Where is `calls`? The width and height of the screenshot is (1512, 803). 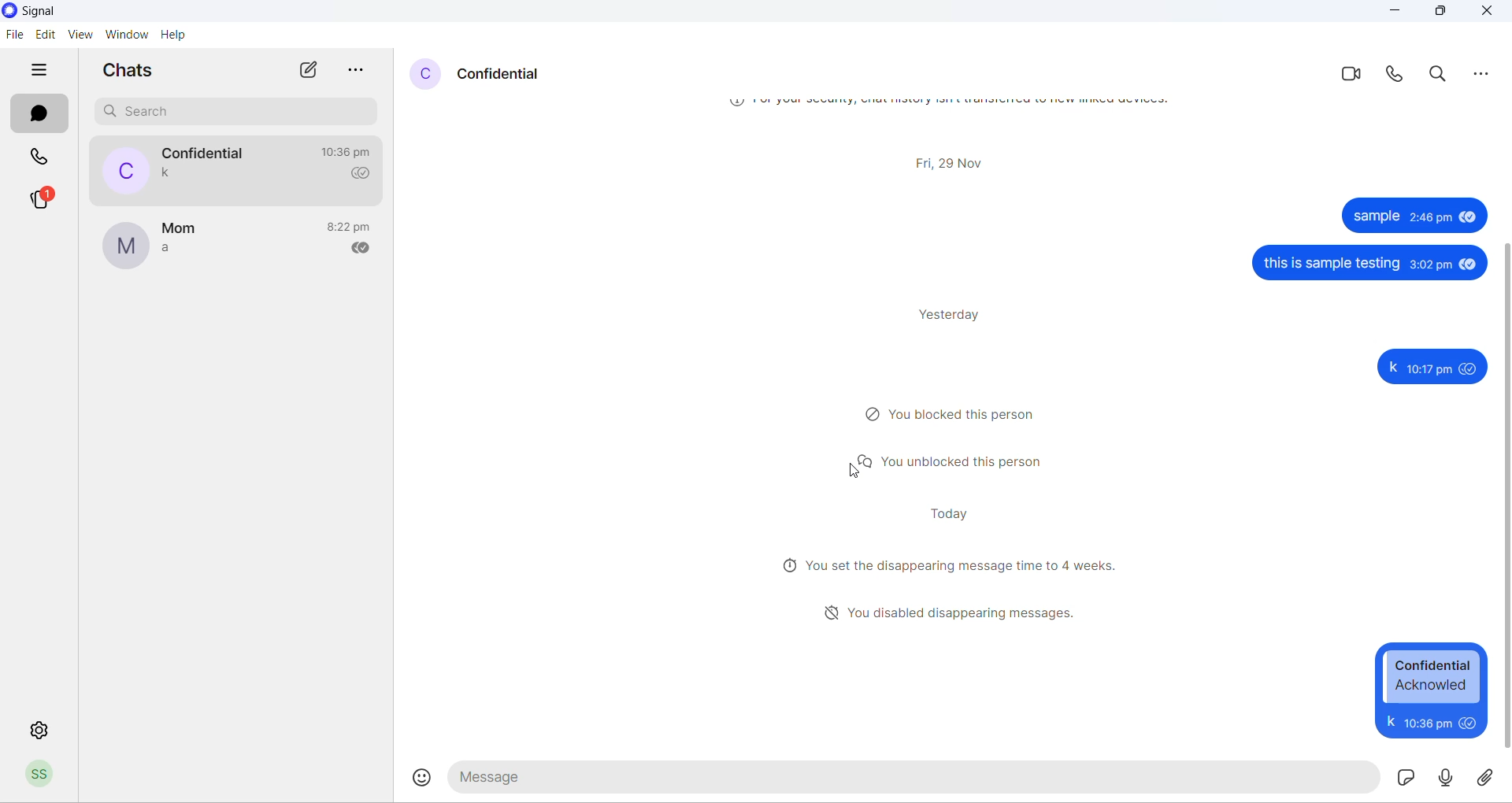 calls is located at coordinates (44, 160).